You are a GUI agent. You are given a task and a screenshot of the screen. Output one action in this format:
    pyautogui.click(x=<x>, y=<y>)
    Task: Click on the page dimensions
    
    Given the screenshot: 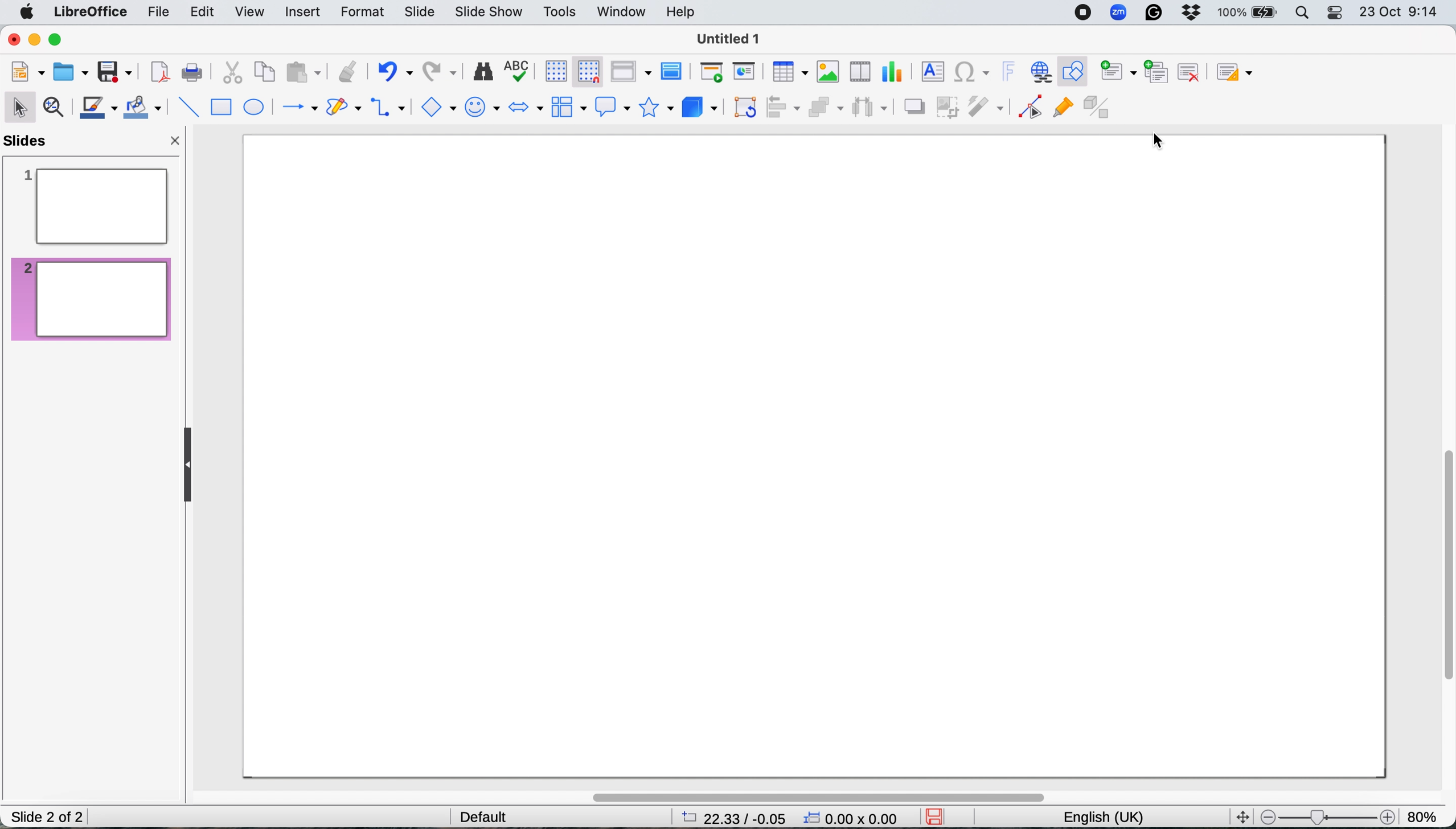 What is the action you would take?
    pyautogui.click(x=729, y=818)
    